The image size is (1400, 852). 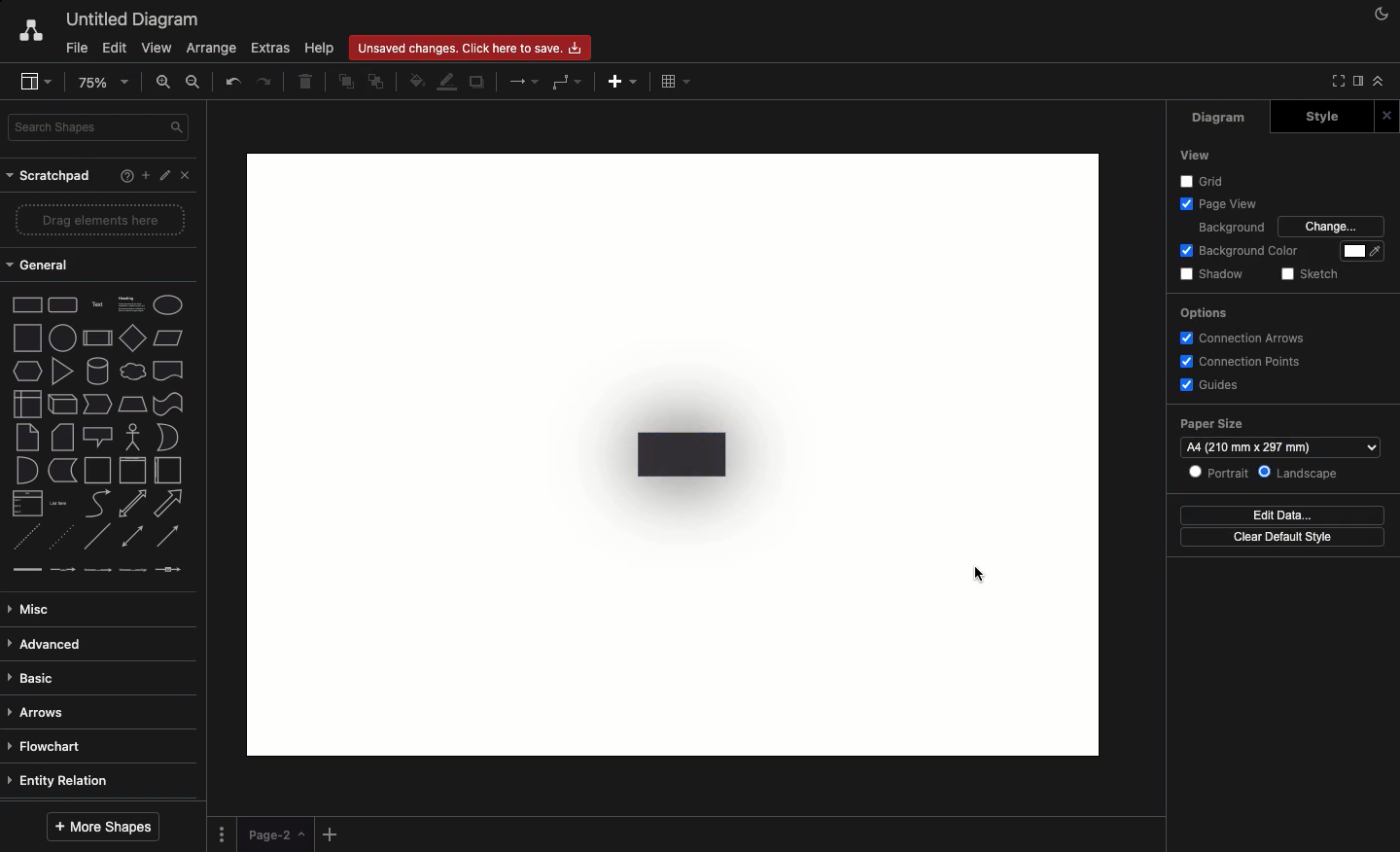 What do you see at coordinates (48, 179) in the screenshot?
I see `Scratchpad` at bounding box center [48, 179].